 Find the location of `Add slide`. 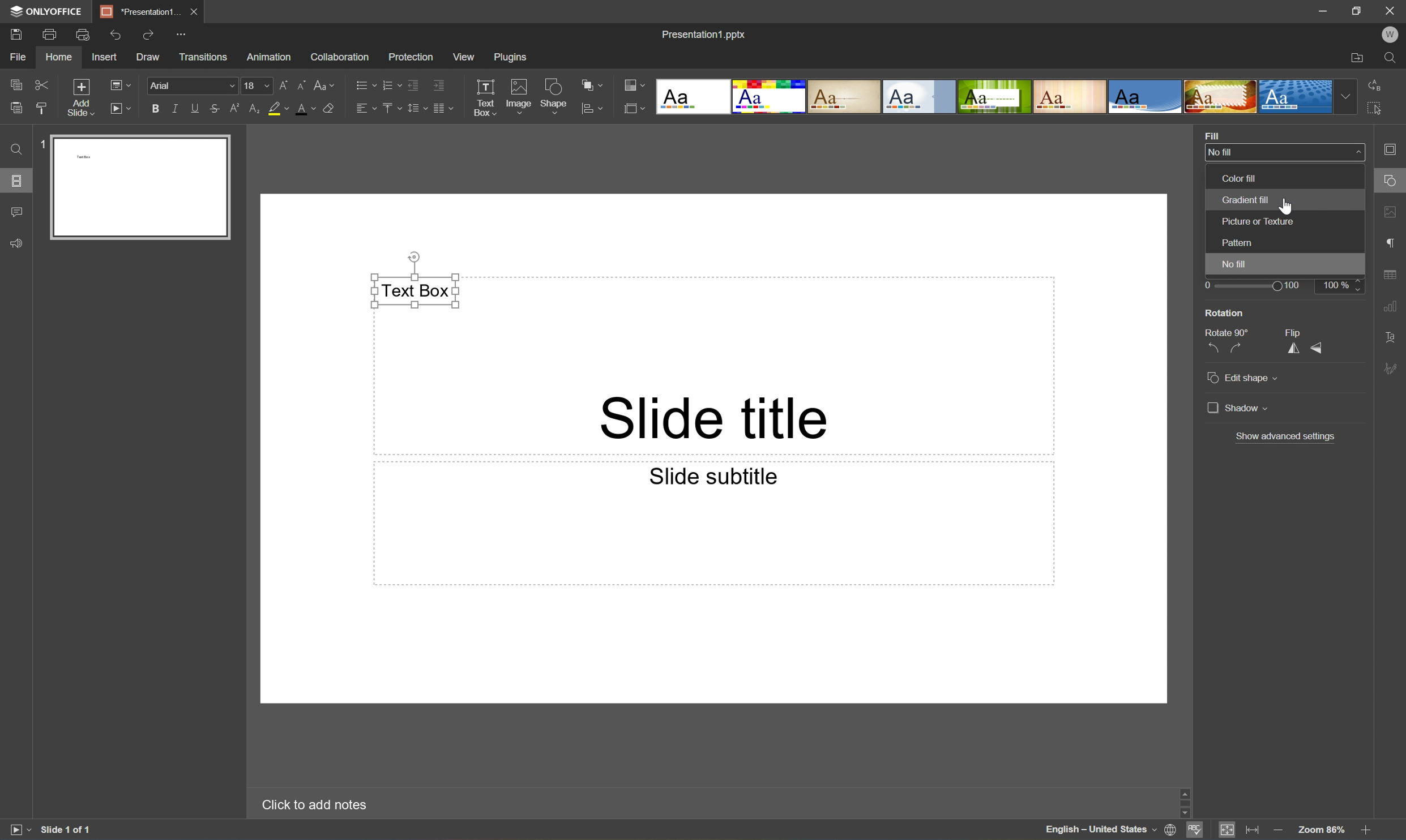

Add slide is located at coordinates (81, 97).